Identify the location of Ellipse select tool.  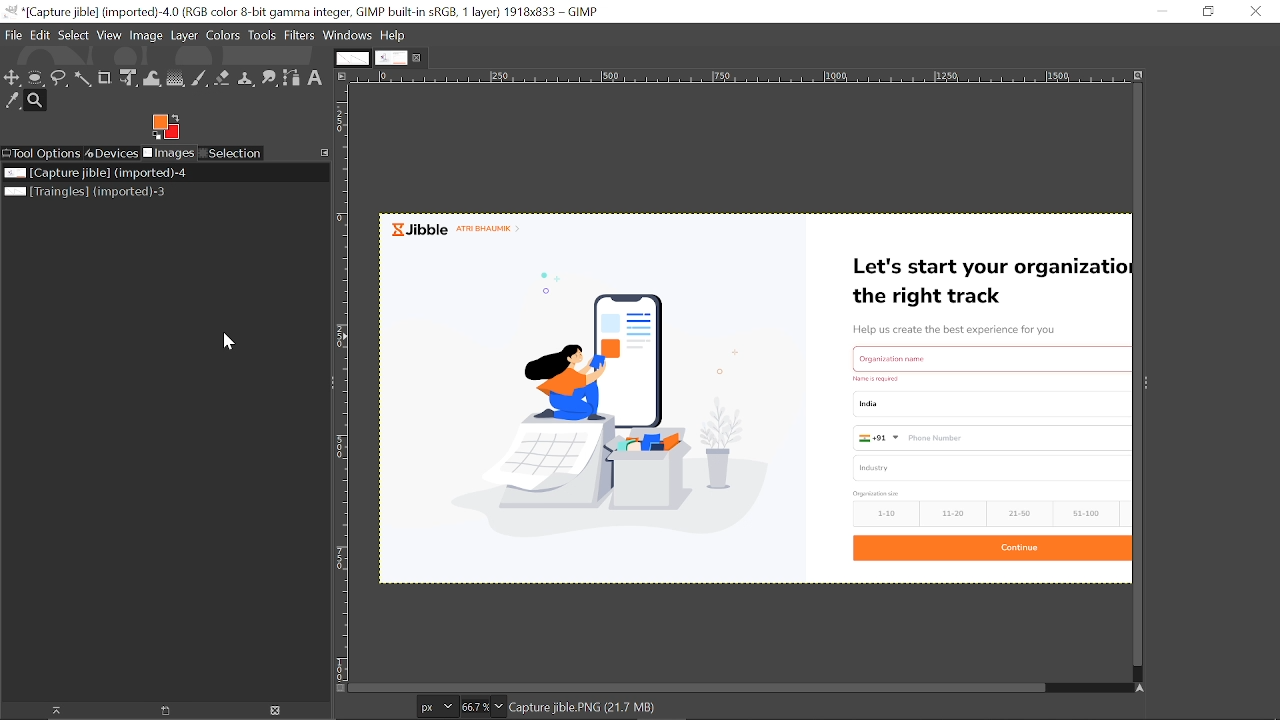
(35, 80).